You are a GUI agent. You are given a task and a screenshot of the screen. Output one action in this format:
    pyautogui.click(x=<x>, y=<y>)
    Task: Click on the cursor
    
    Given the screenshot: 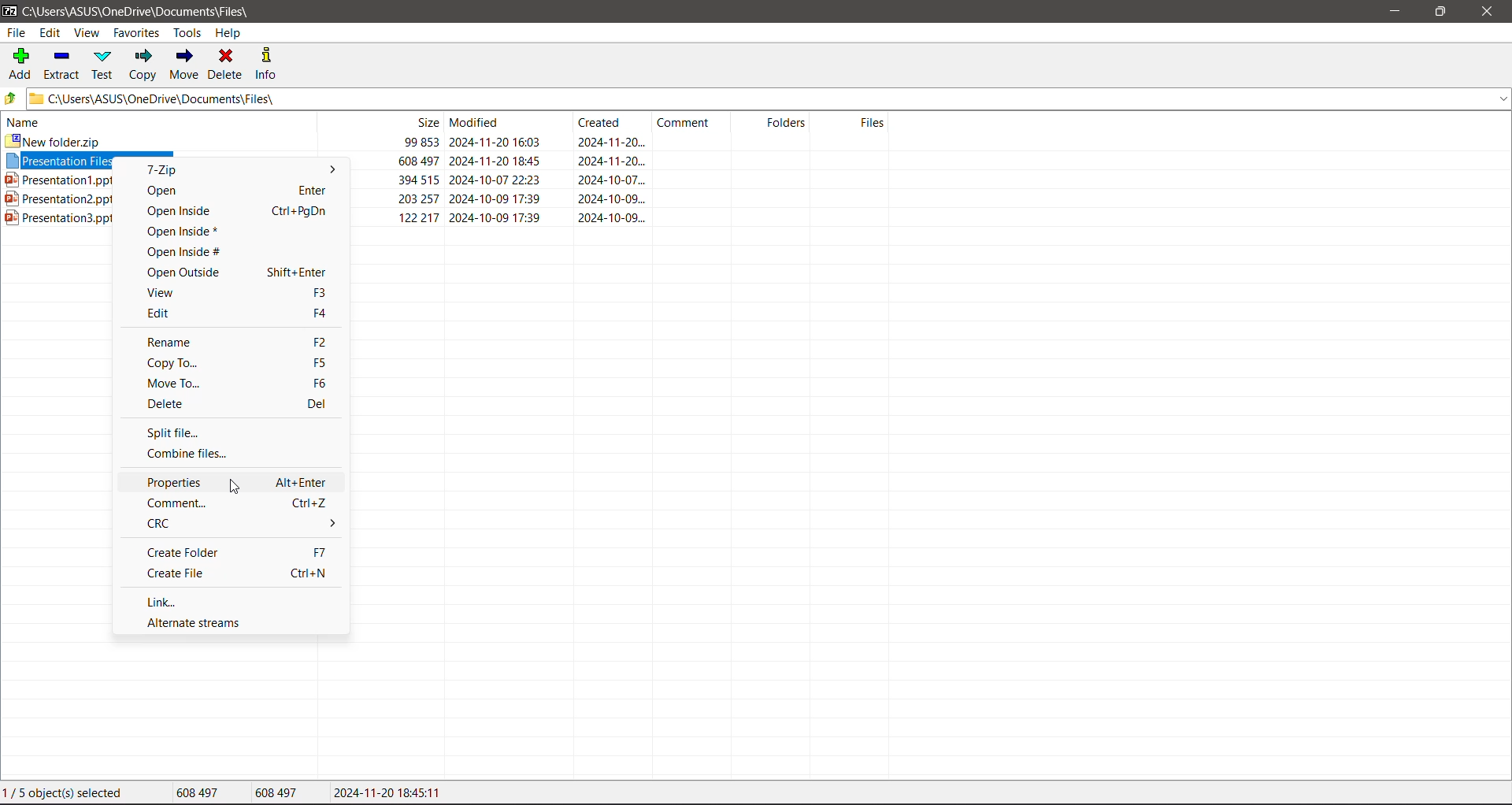 What is the action you would take?
    pyautogui.click(x=234, y=487)
    